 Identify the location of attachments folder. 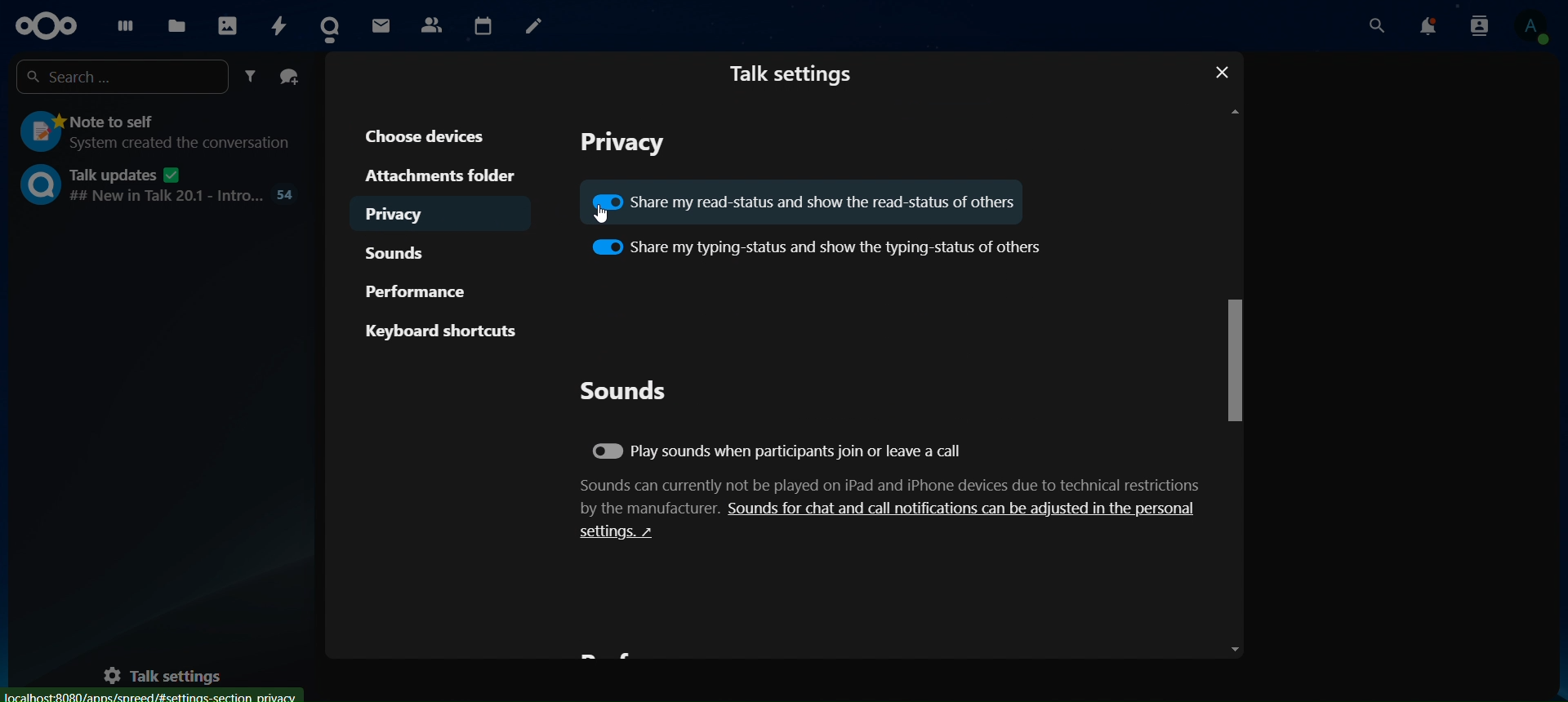
(437, 174).